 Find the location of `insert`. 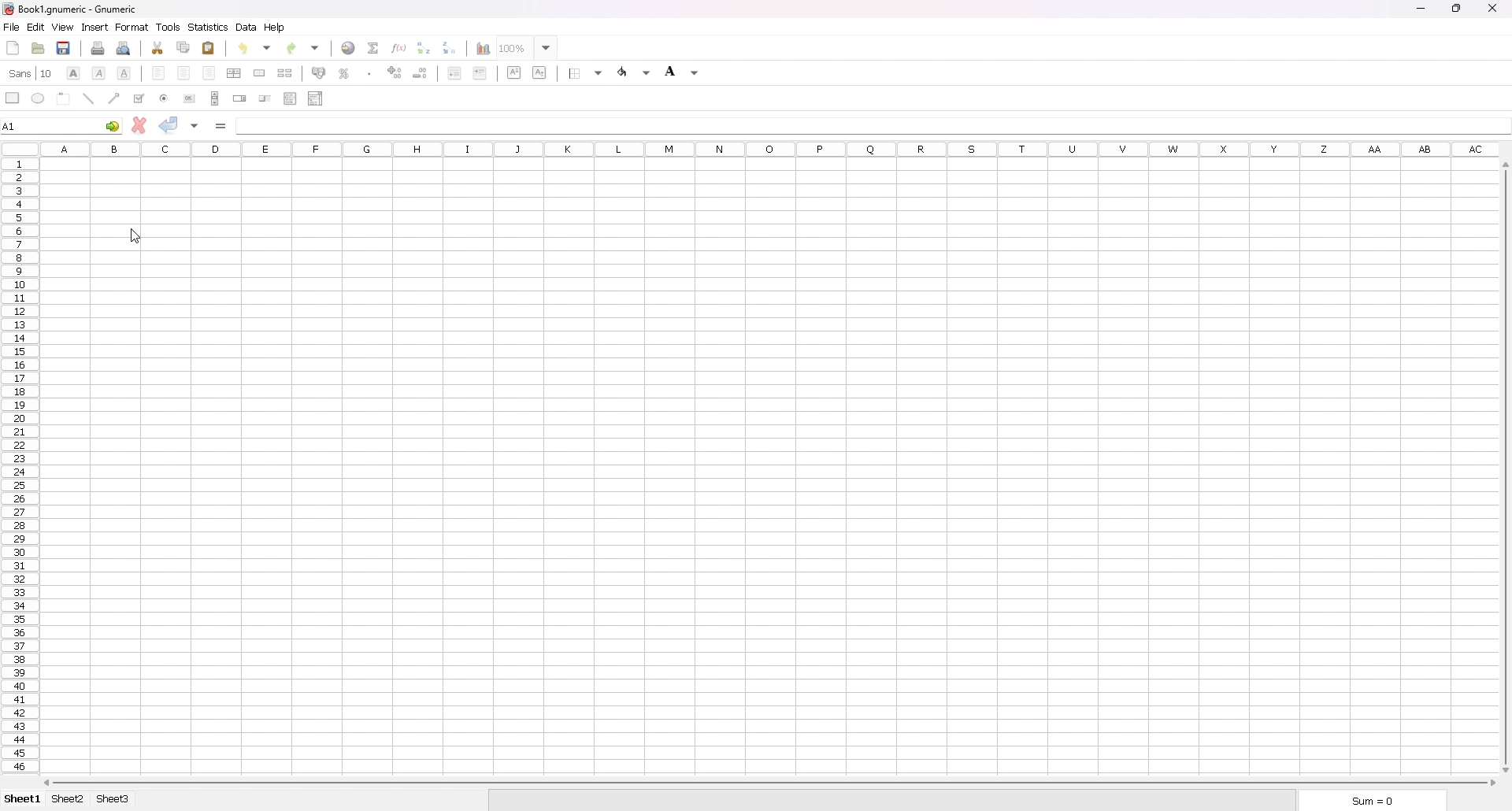

insert is located at coordinates (95, 27).